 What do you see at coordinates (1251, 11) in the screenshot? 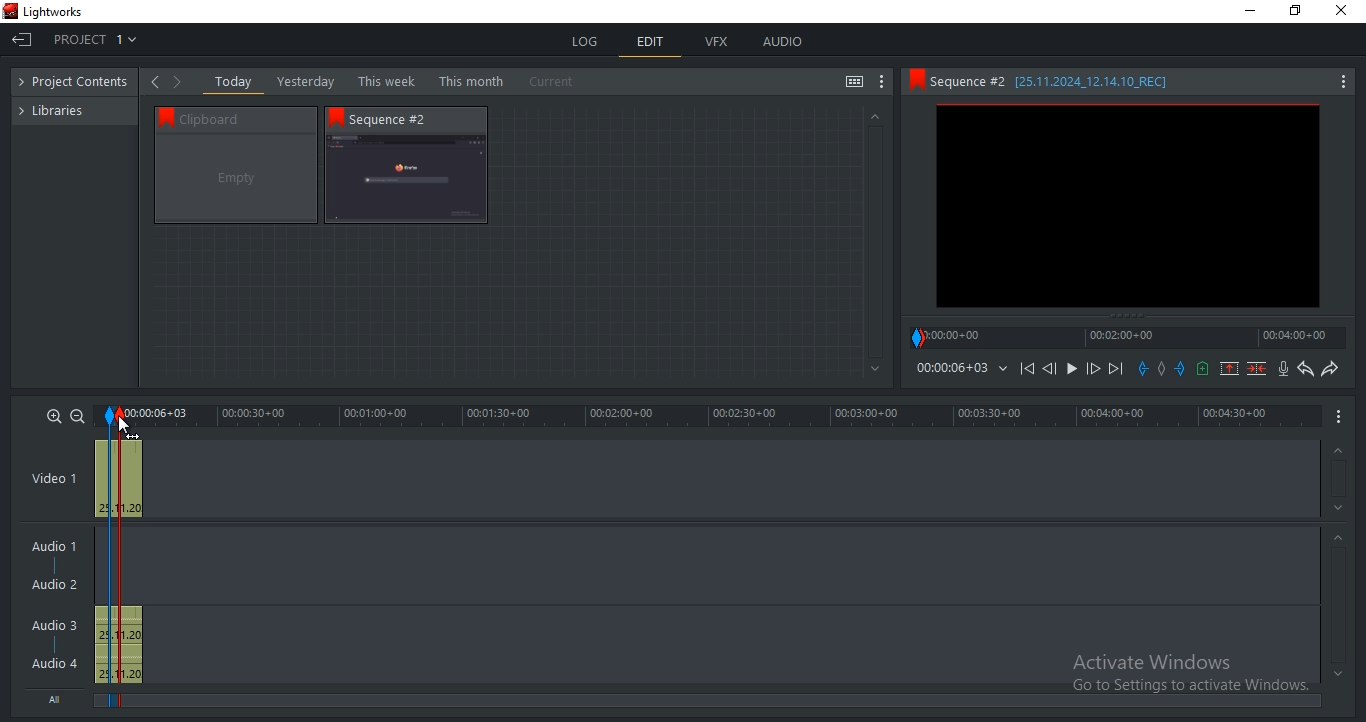
I see `minimize` at bounding box center [1251, 11].